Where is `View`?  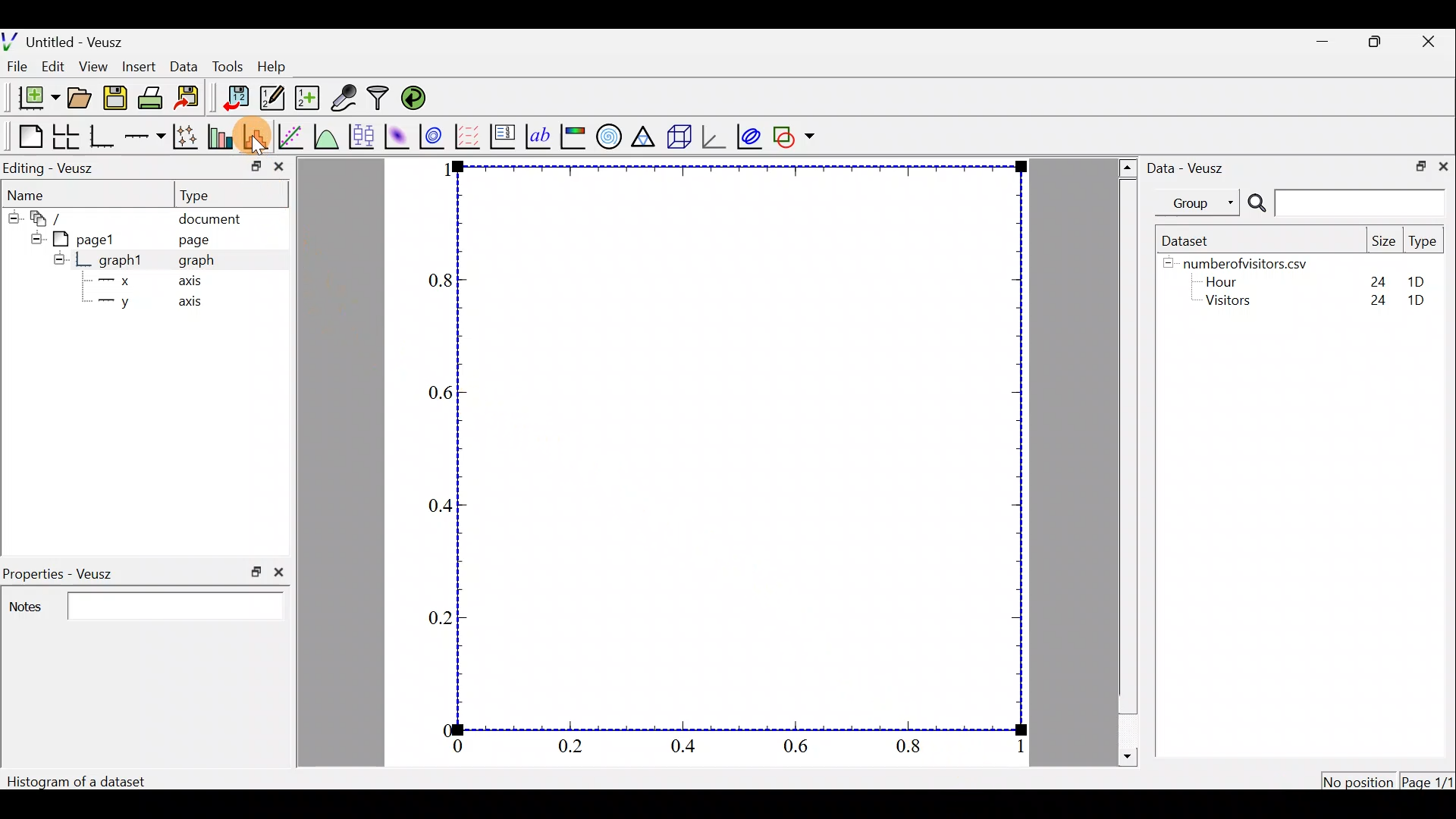
View is located at coordinates (94, 66).